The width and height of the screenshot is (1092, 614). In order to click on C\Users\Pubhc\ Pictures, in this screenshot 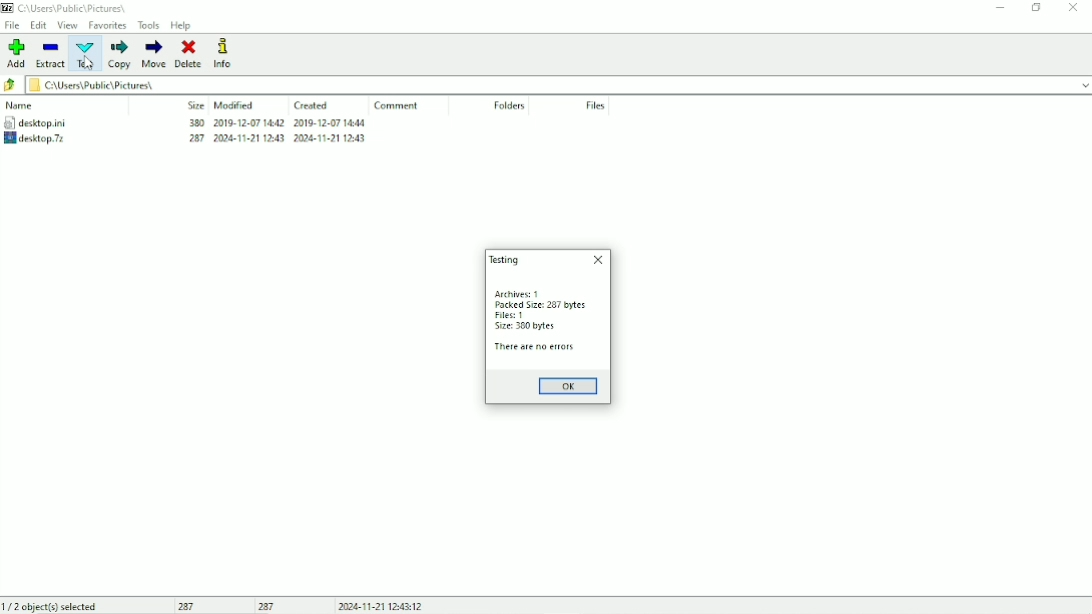, I will do `click(75, 8)`.